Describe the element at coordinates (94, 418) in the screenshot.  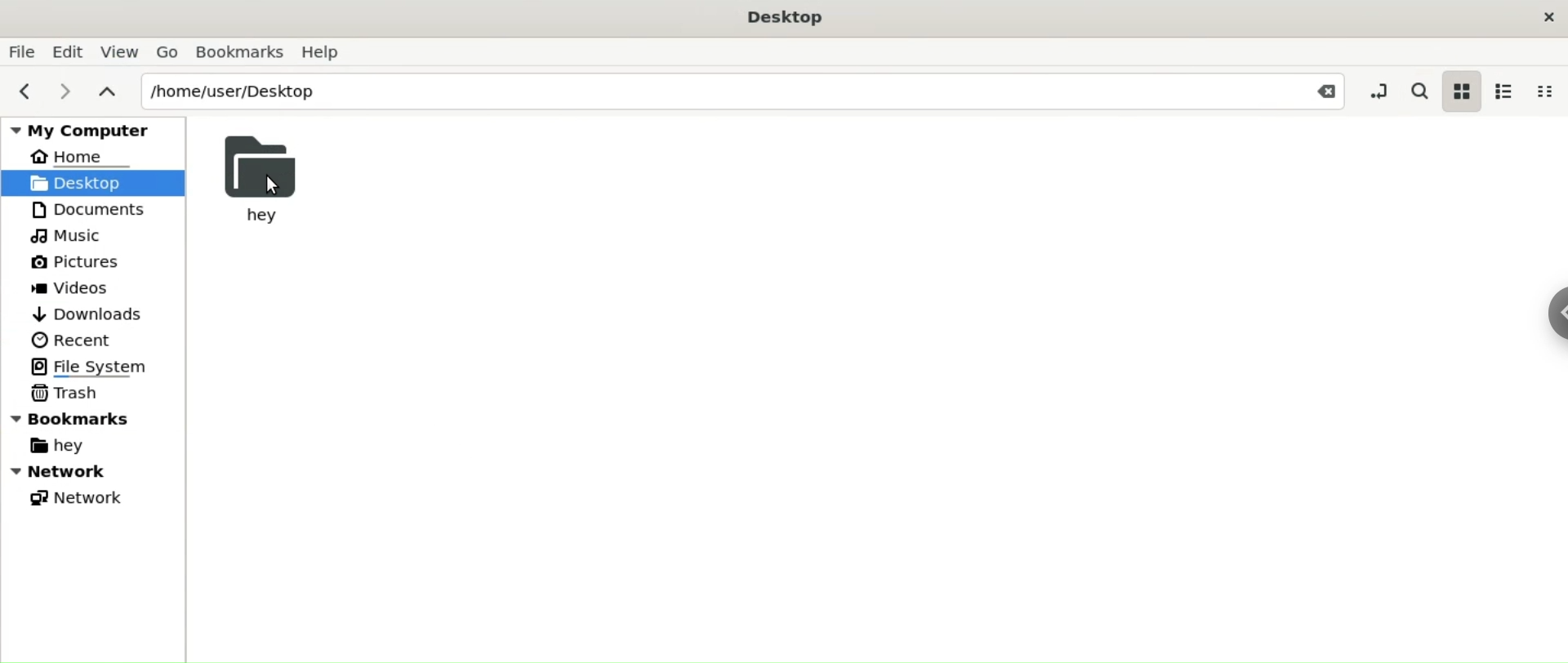
I see `Bookmarks` at that location.